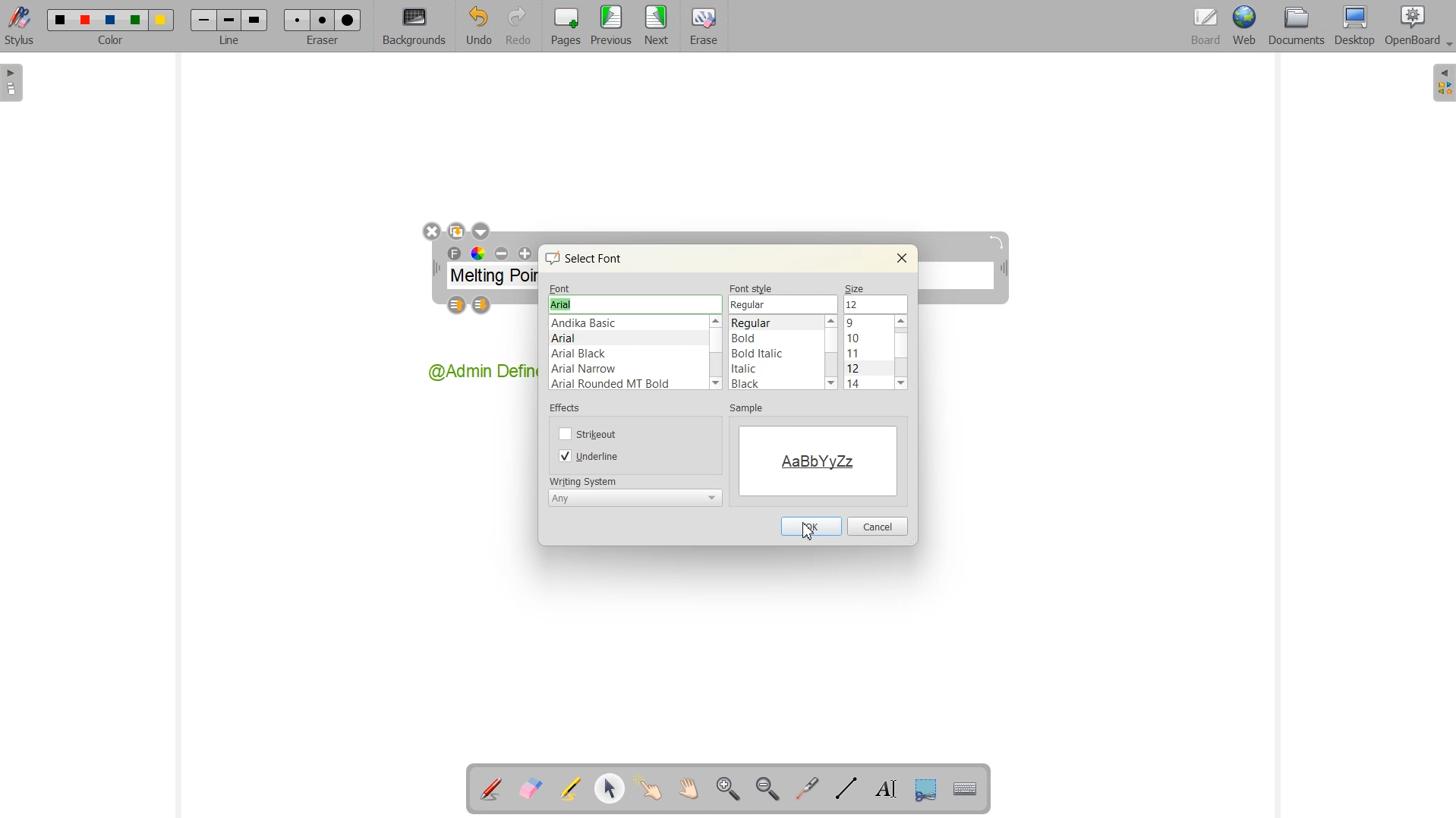 Image resolution: width=1456 pixels, height=818 pixels. I want to click on Layer down, so click(482, 306).